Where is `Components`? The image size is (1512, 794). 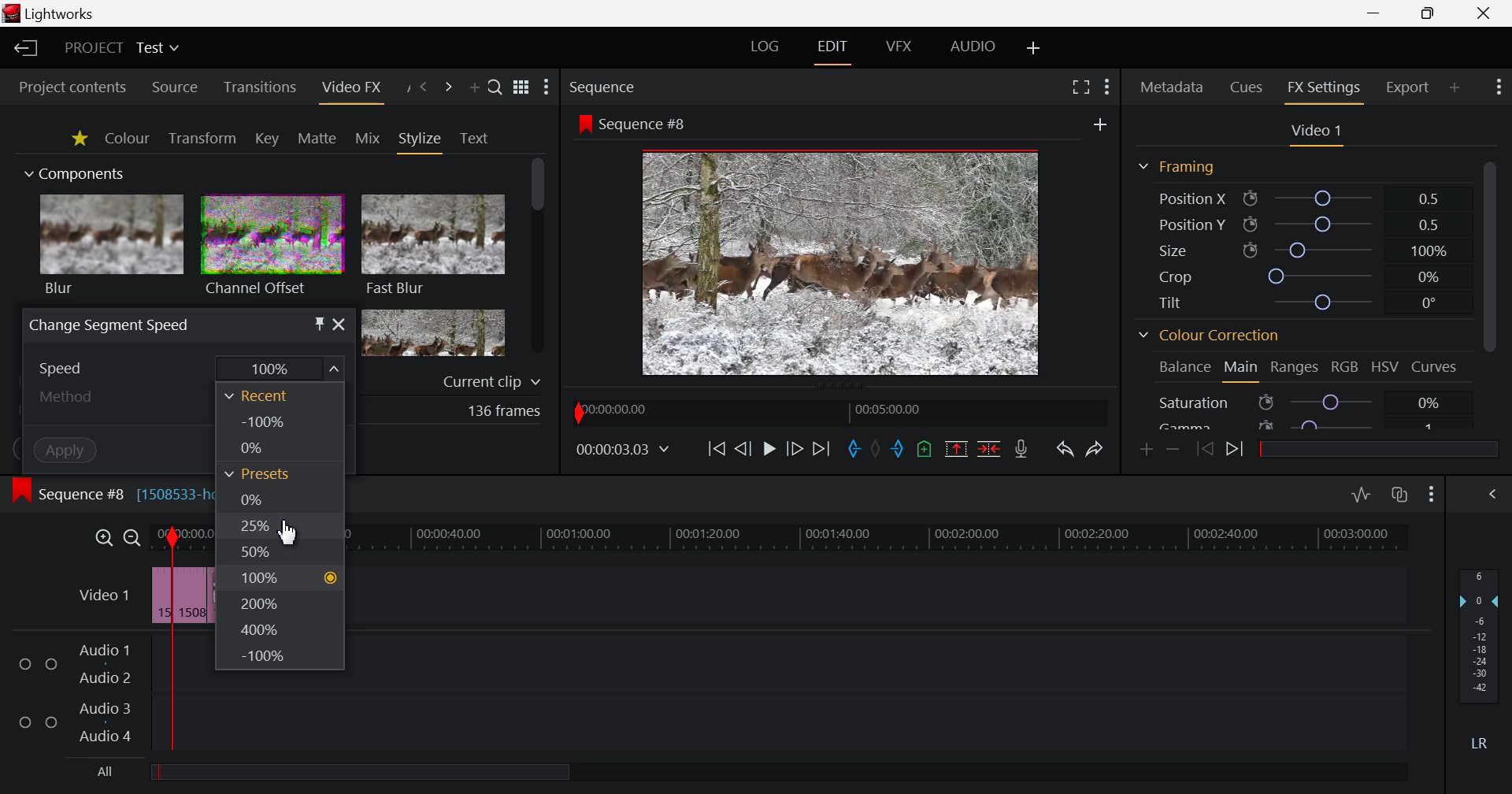 Components is located at coordinates (76, 175).